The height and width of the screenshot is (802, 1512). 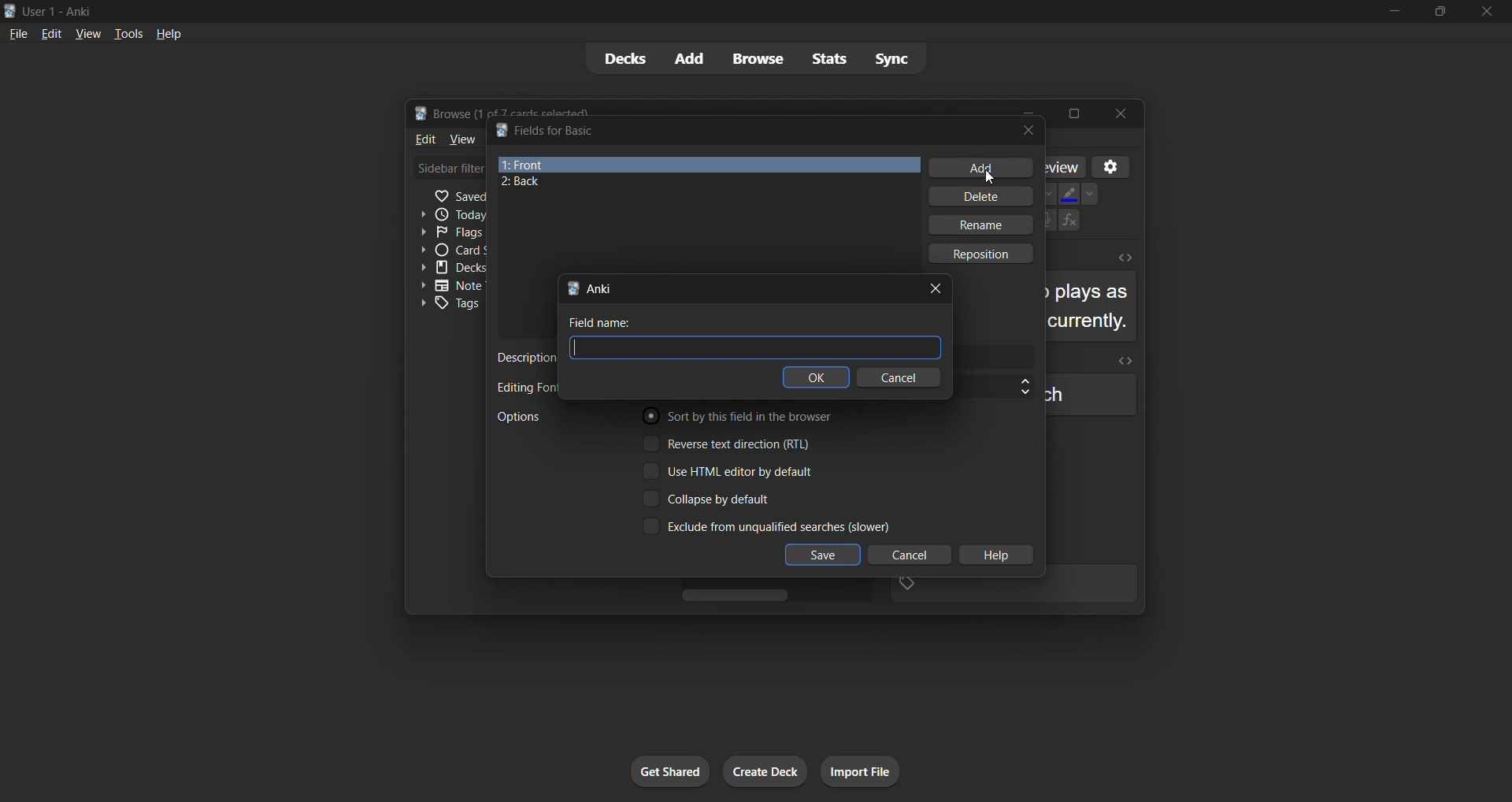 What do you see at coordinates (1093, 192) in the screenshot?
I see `Down-arrow` at bounding box center [1093, 192].